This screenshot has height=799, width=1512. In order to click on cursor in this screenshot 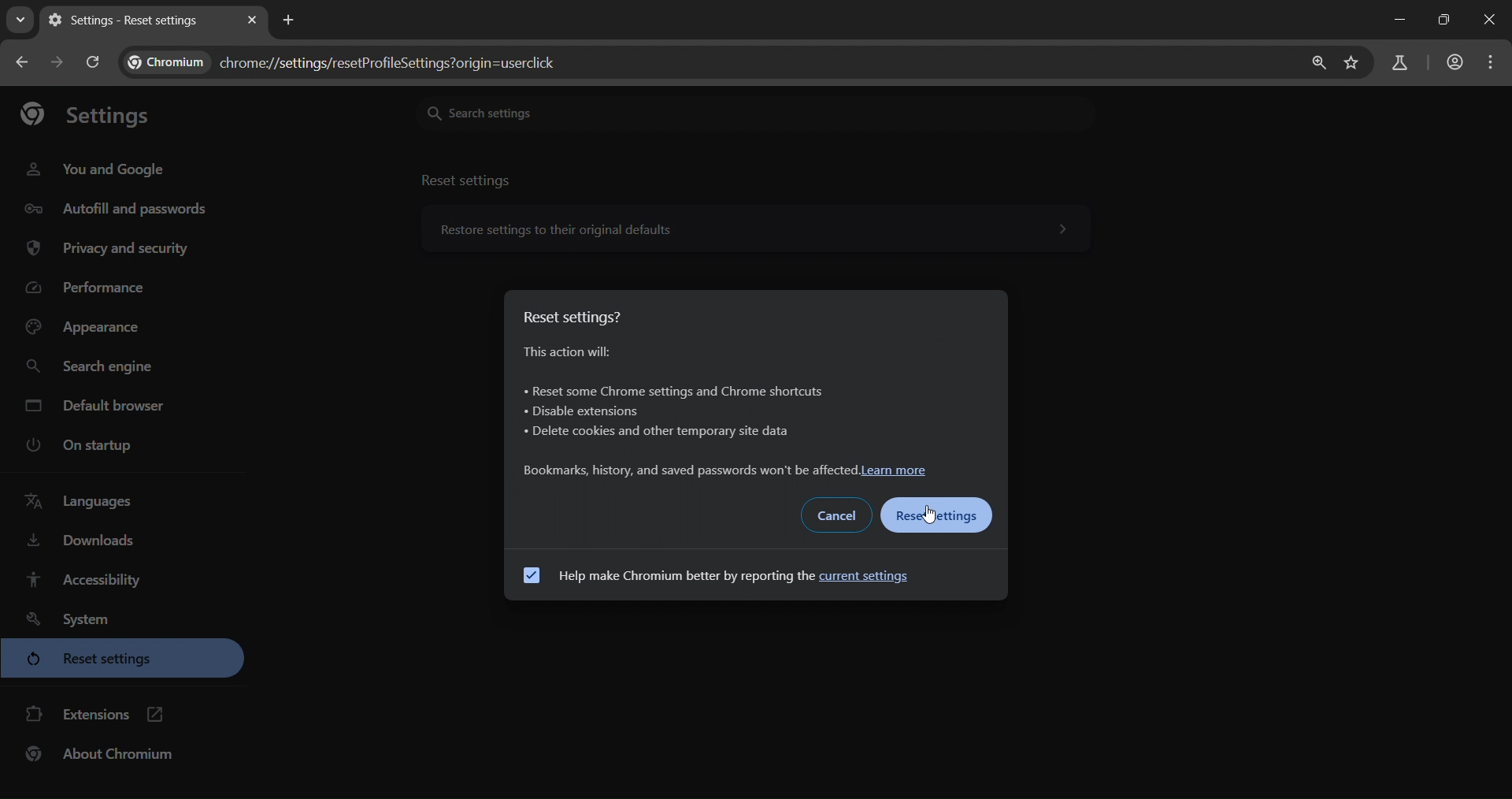, I will do `click(930, 522)`.